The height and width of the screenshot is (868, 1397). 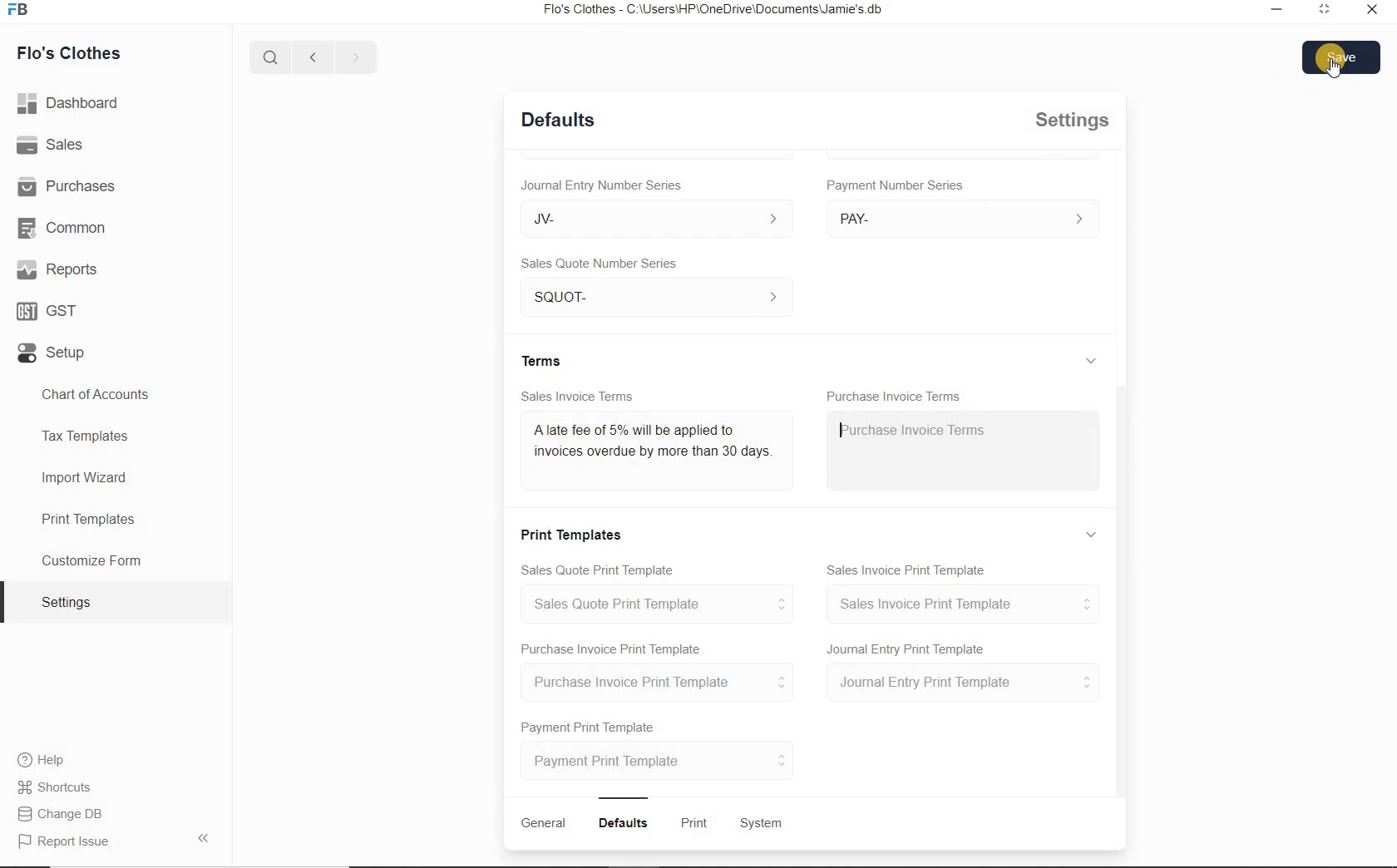 What do you see at coordinates (50, 357) in the screenshot?
I see `Setup` at bounding box center [50, 357].